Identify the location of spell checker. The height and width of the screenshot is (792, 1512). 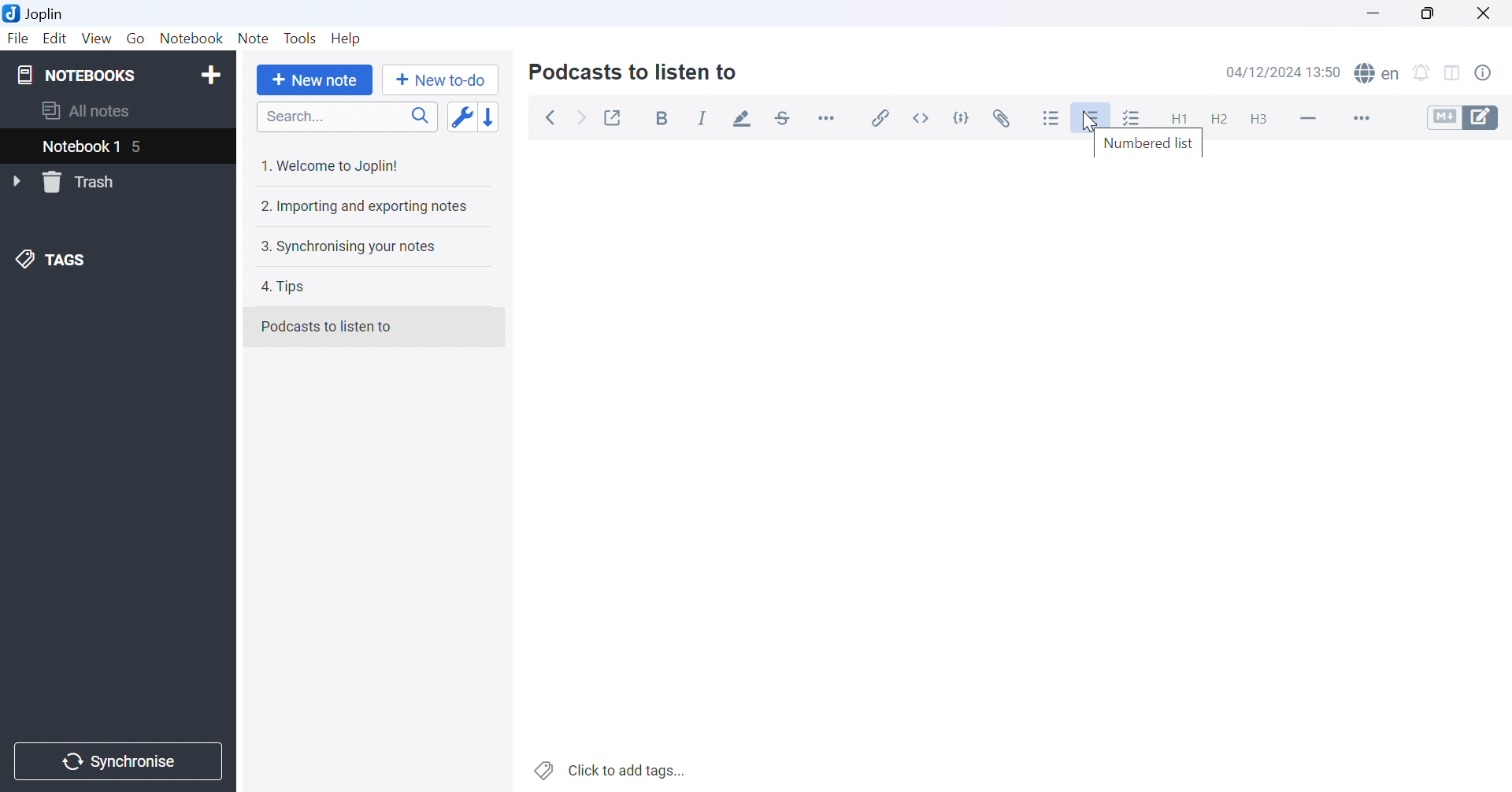
(1381, 74).